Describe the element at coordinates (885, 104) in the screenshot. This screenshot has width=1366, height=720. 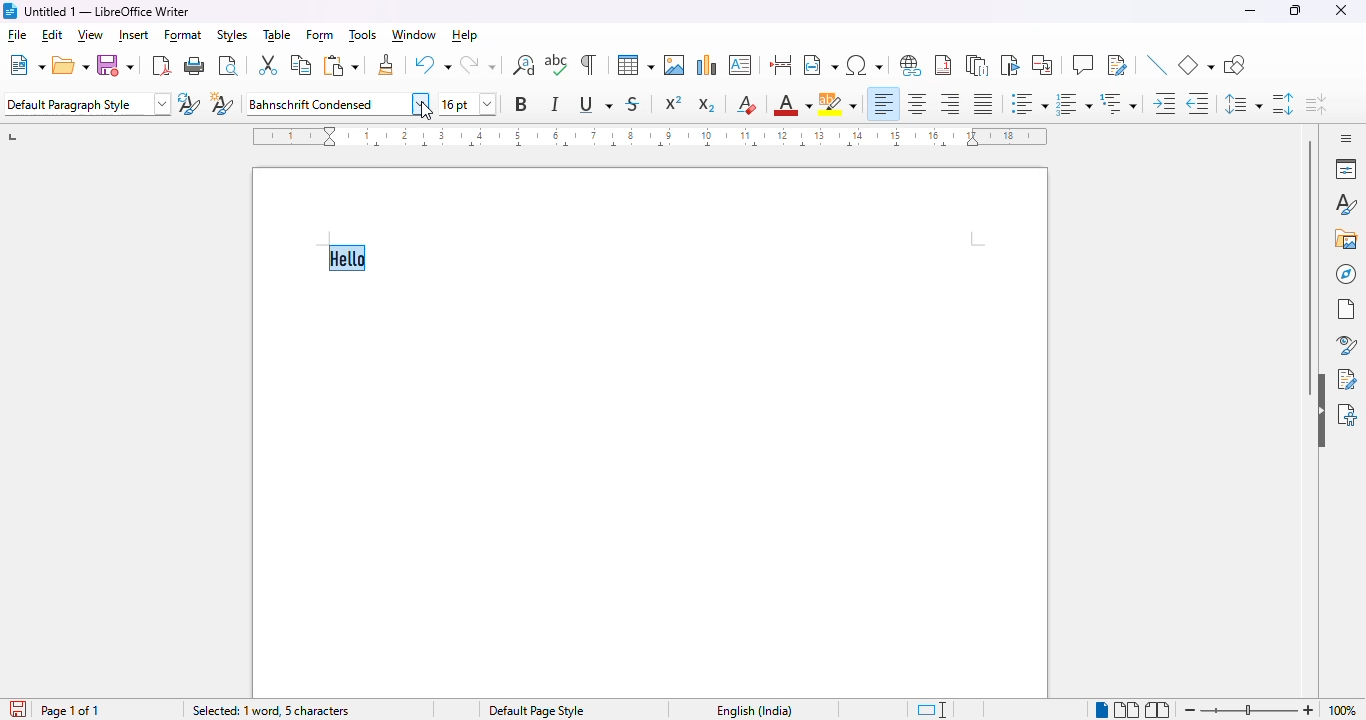
I see `align left` at that location.